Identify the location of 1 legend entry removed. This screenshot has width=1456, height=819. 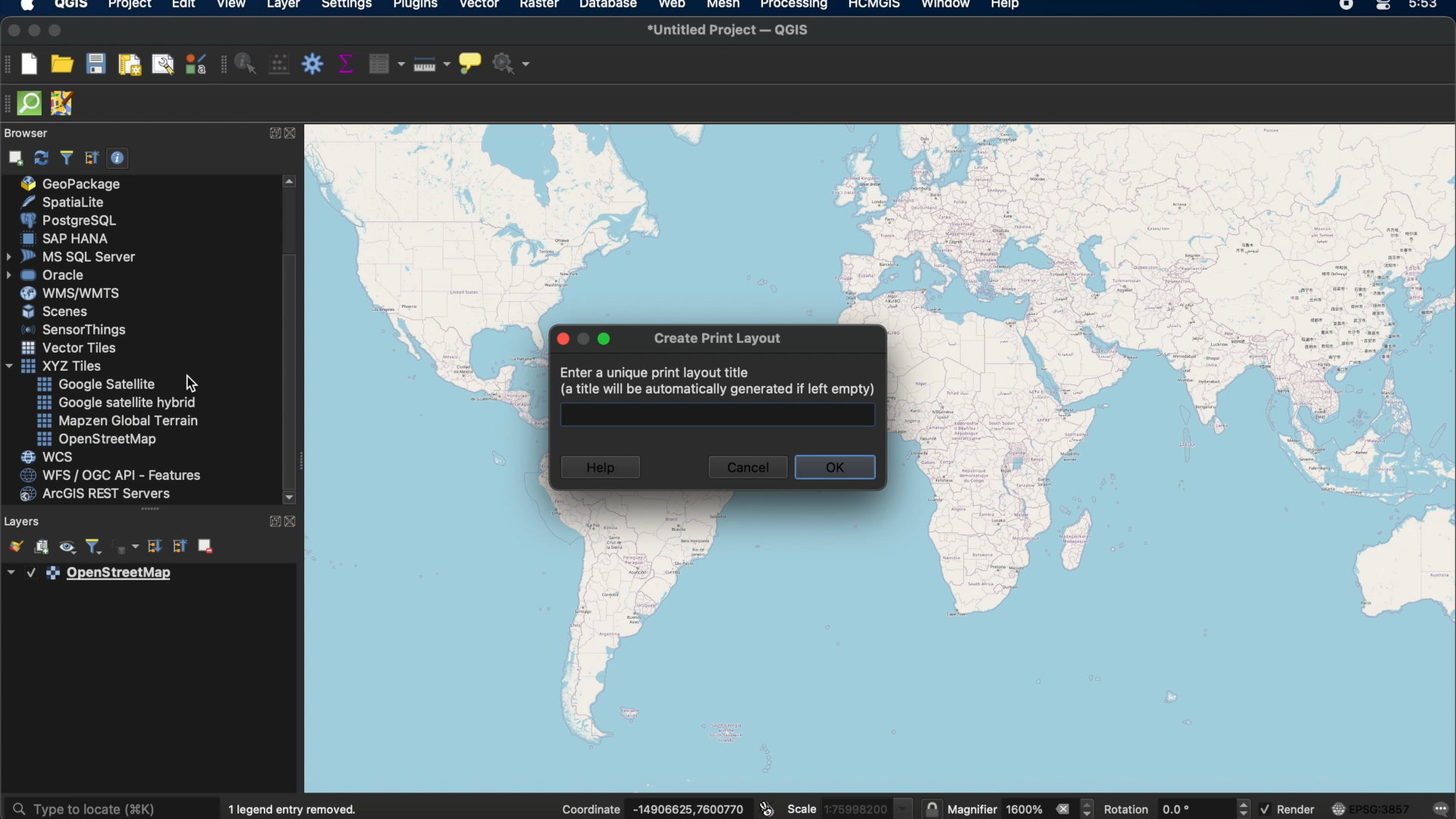
(293, 809).